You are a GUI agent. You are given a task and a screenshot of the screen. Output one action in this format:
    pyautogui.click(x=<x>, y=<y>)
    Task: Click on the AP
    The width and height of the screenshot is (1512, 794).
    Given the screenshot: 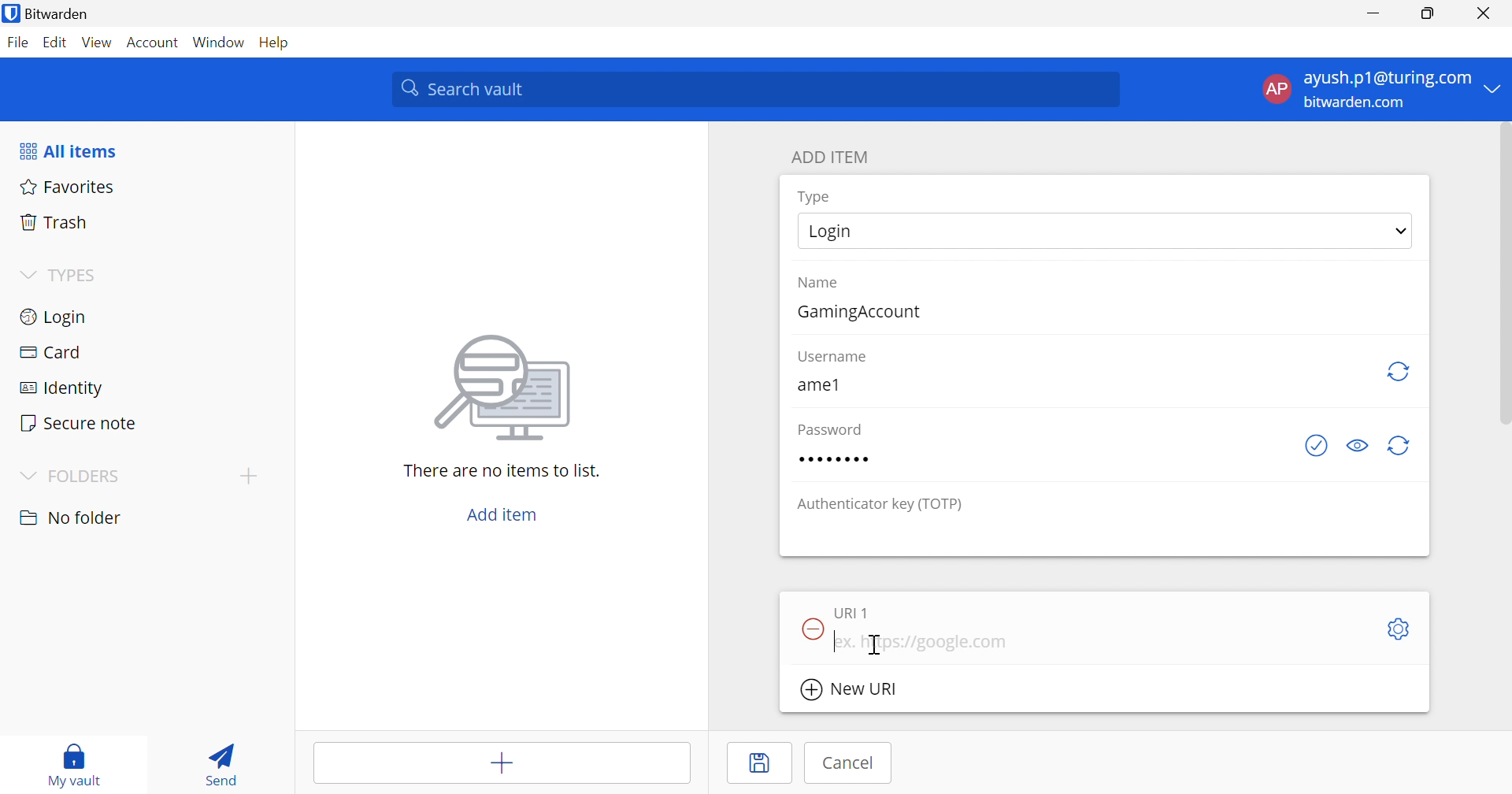 What is the action you would take?
    pyautogui.click(x=1277, y=88)
    